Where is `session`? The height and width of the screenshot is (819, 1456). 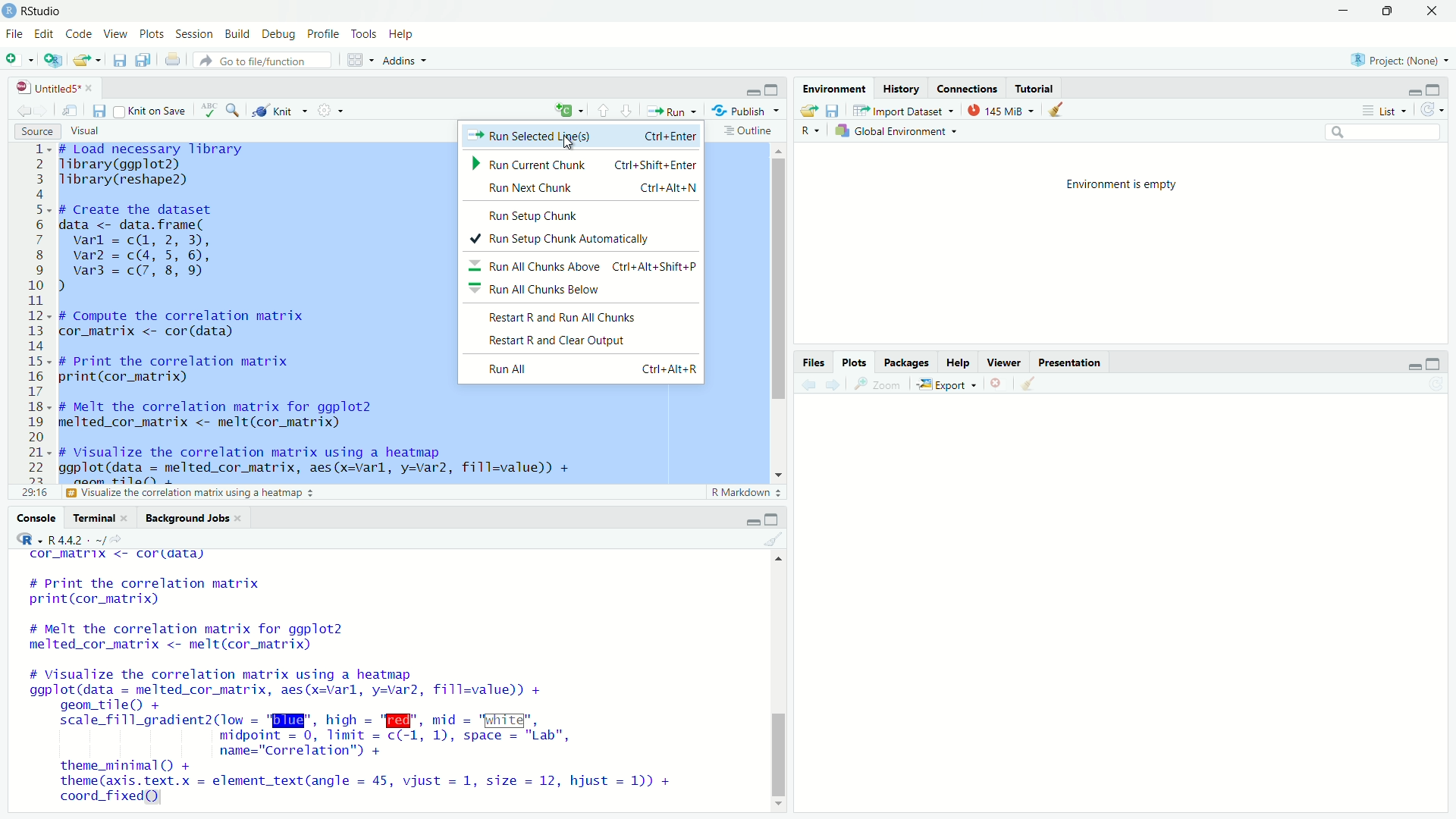 session is located at coordinates (194, 35).